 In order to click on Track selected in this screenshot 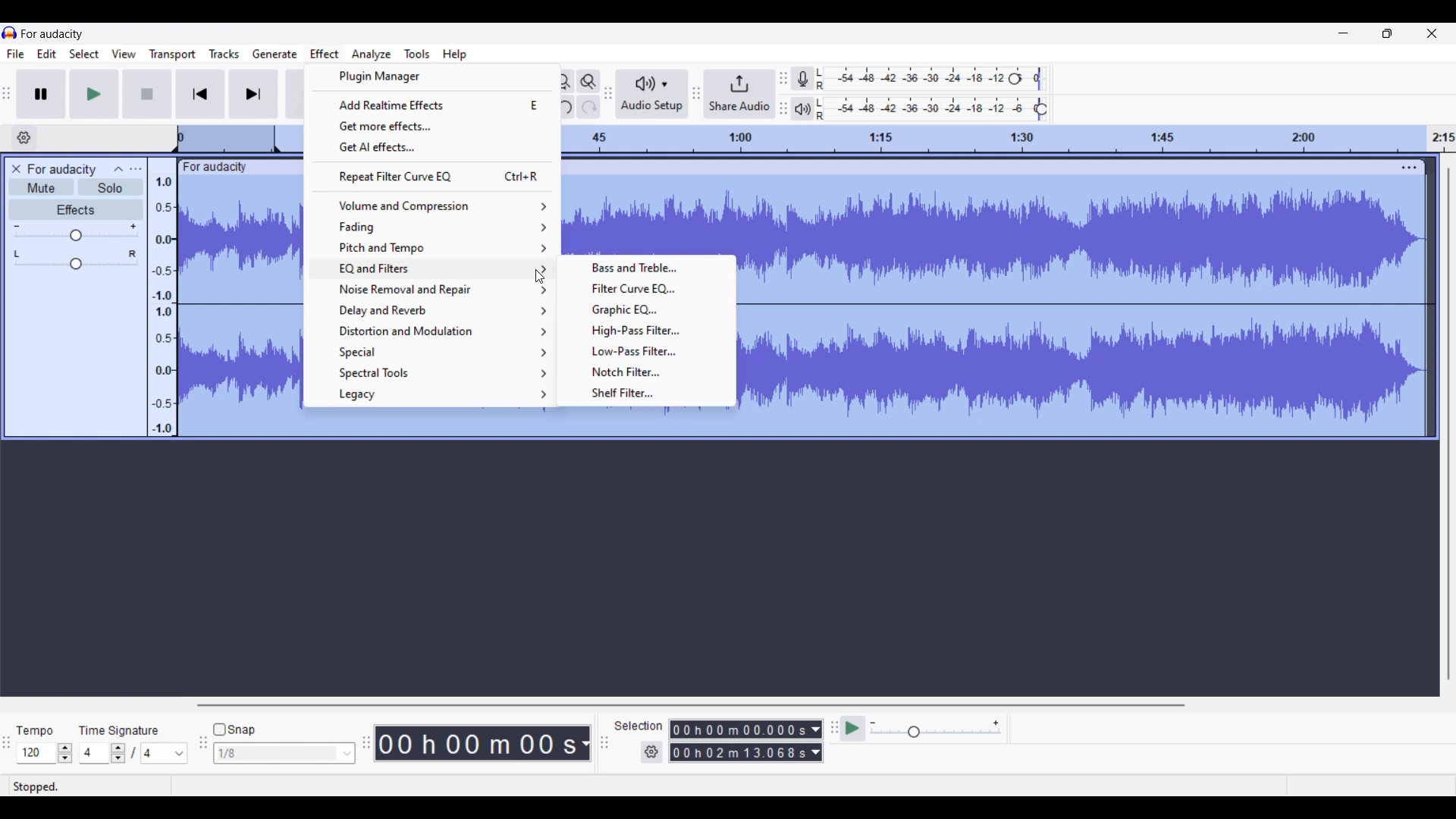, I will do `click(648, 214)`.